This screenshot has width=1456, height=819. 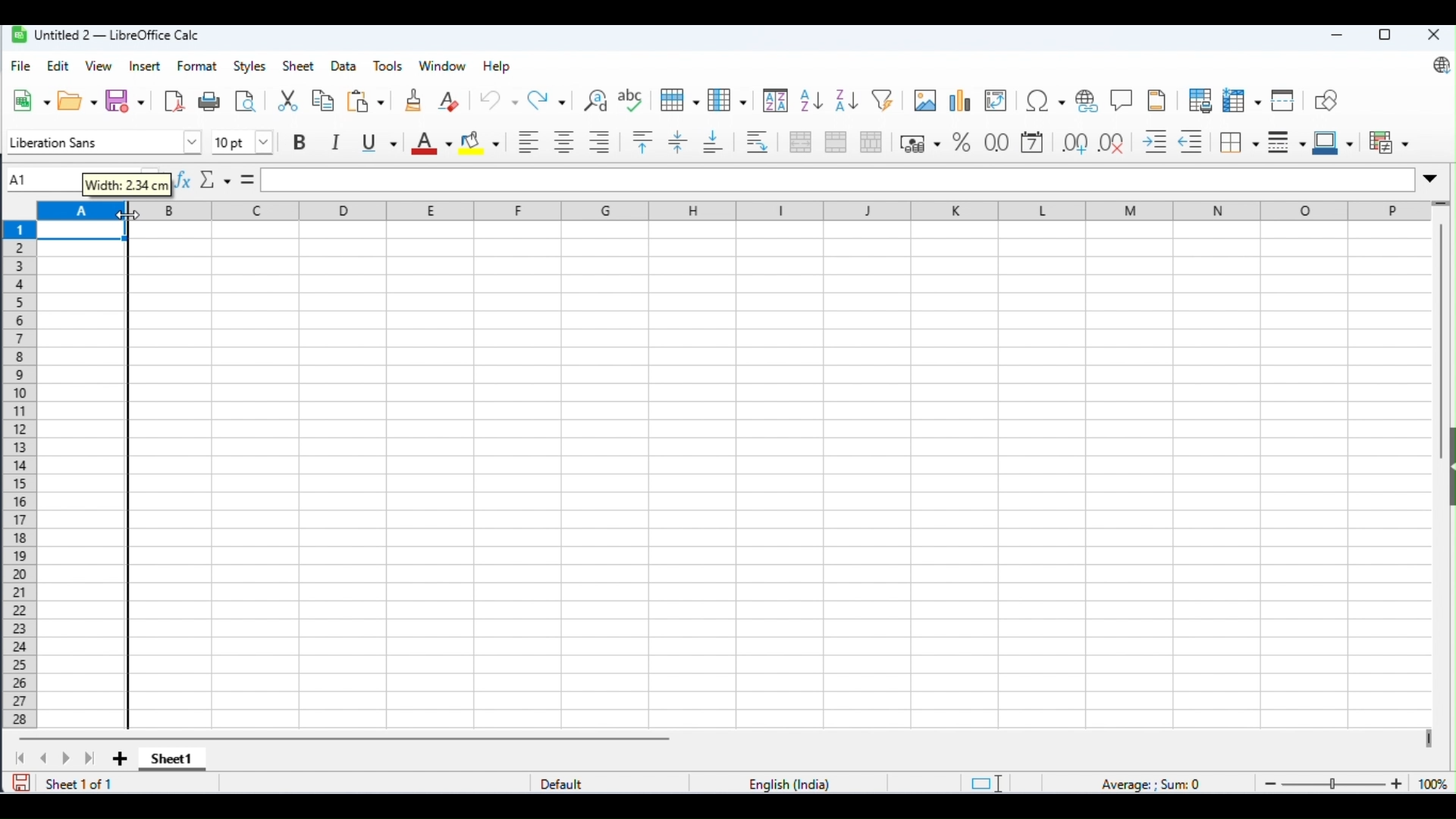 What do you see at coordinates (1159, 100) in the screenshot?
I see `header and footer` at bounding box center [1159, 100].